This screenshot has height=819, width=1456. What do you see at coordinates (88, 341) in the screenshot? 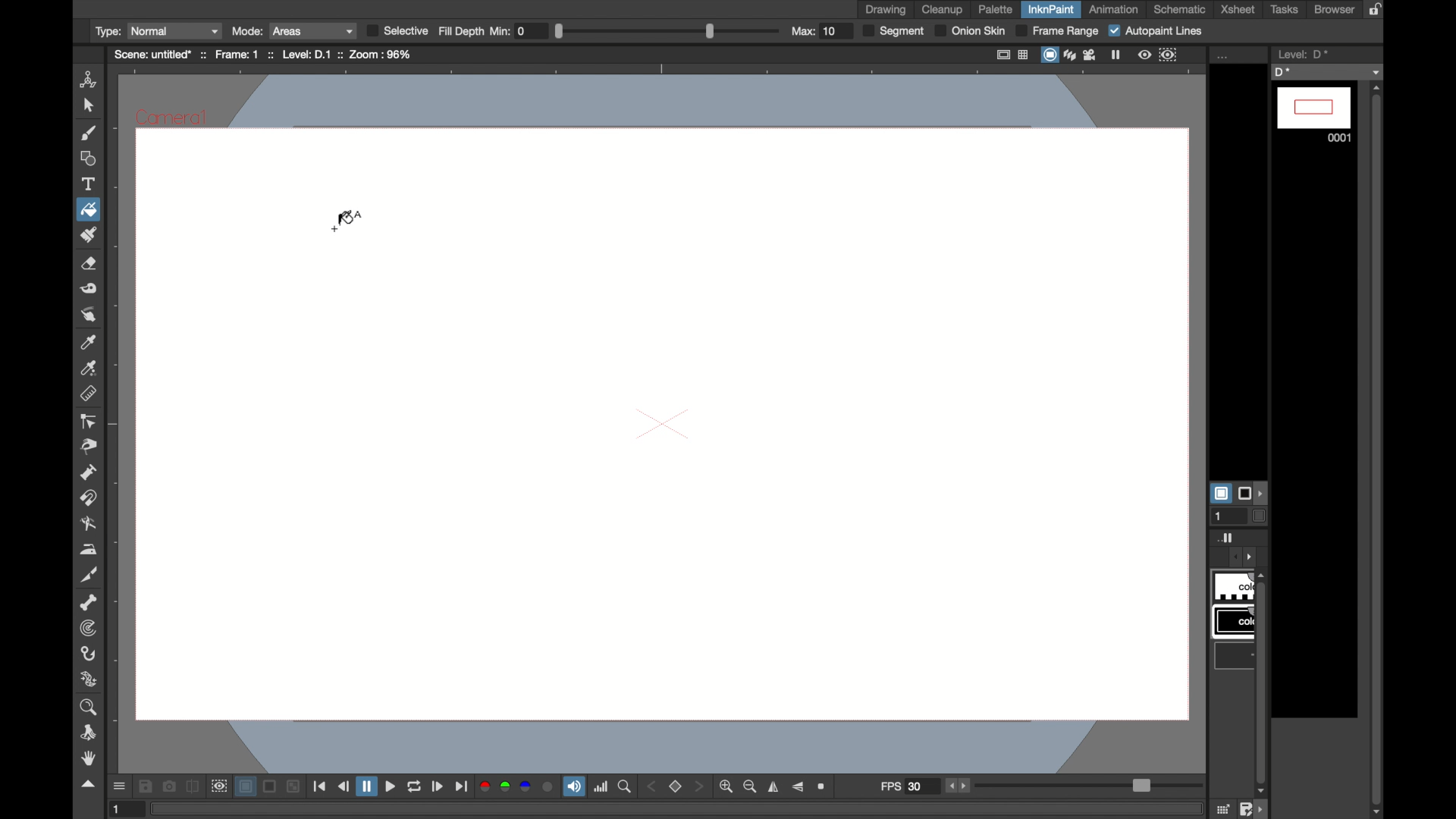
I see `color picker tool` at bounding box center [88, 341].